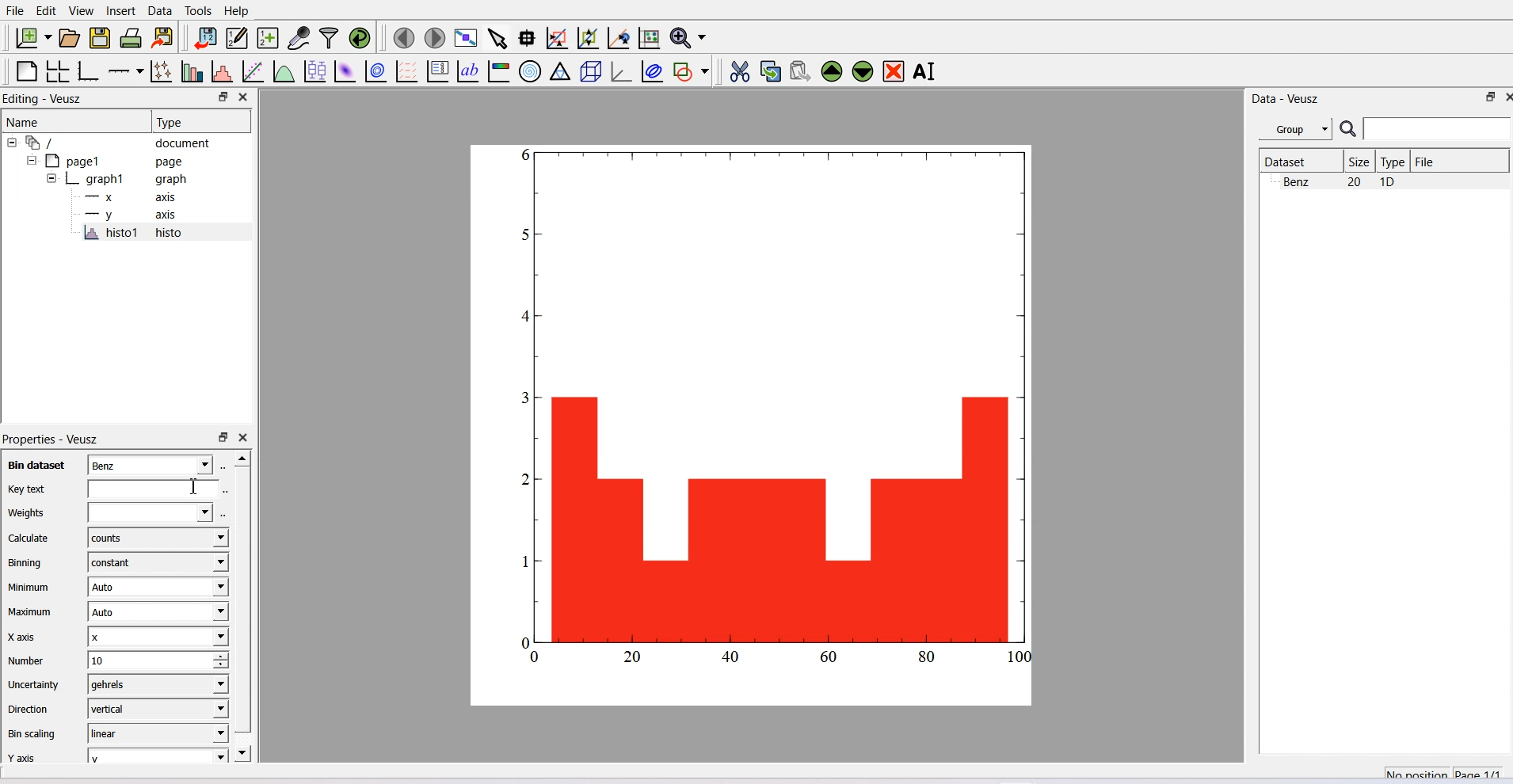 This screenshot has height=784, width=1513. Describe the element at coordinates (160, 11) in the screenshot. I see `Data` at that location.